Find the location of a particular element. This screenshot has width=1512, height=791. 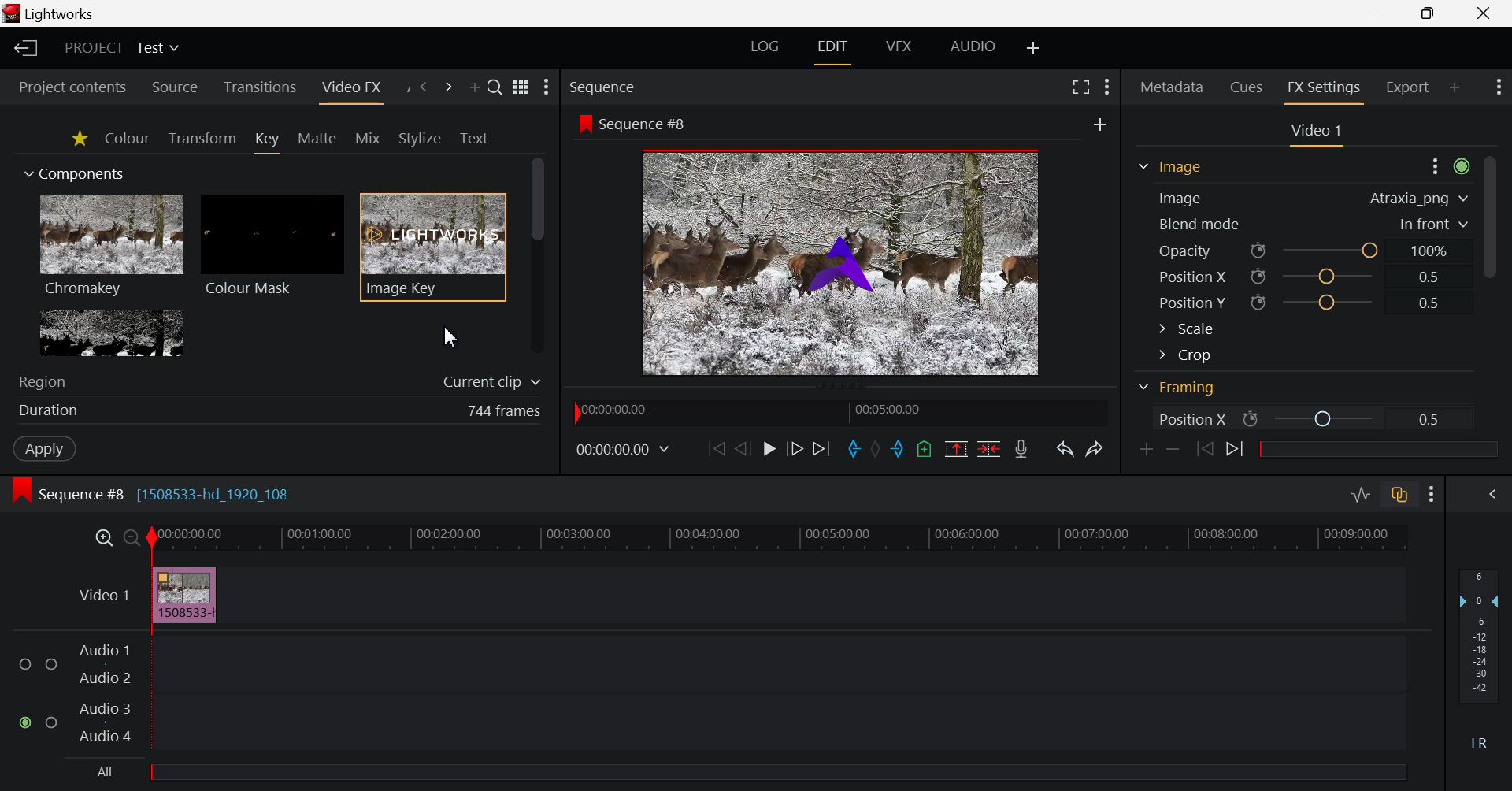

Mark Cue is located at coordinates (925, 449).